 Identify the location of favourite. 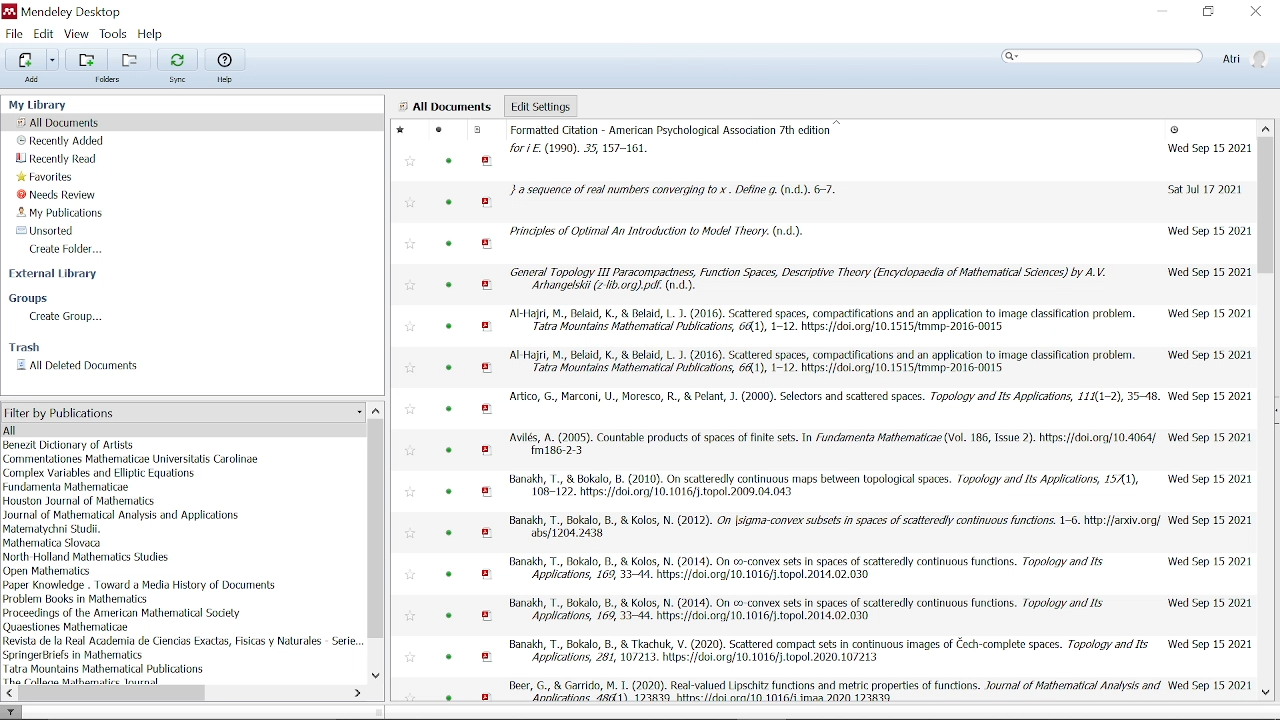
(411, 491).